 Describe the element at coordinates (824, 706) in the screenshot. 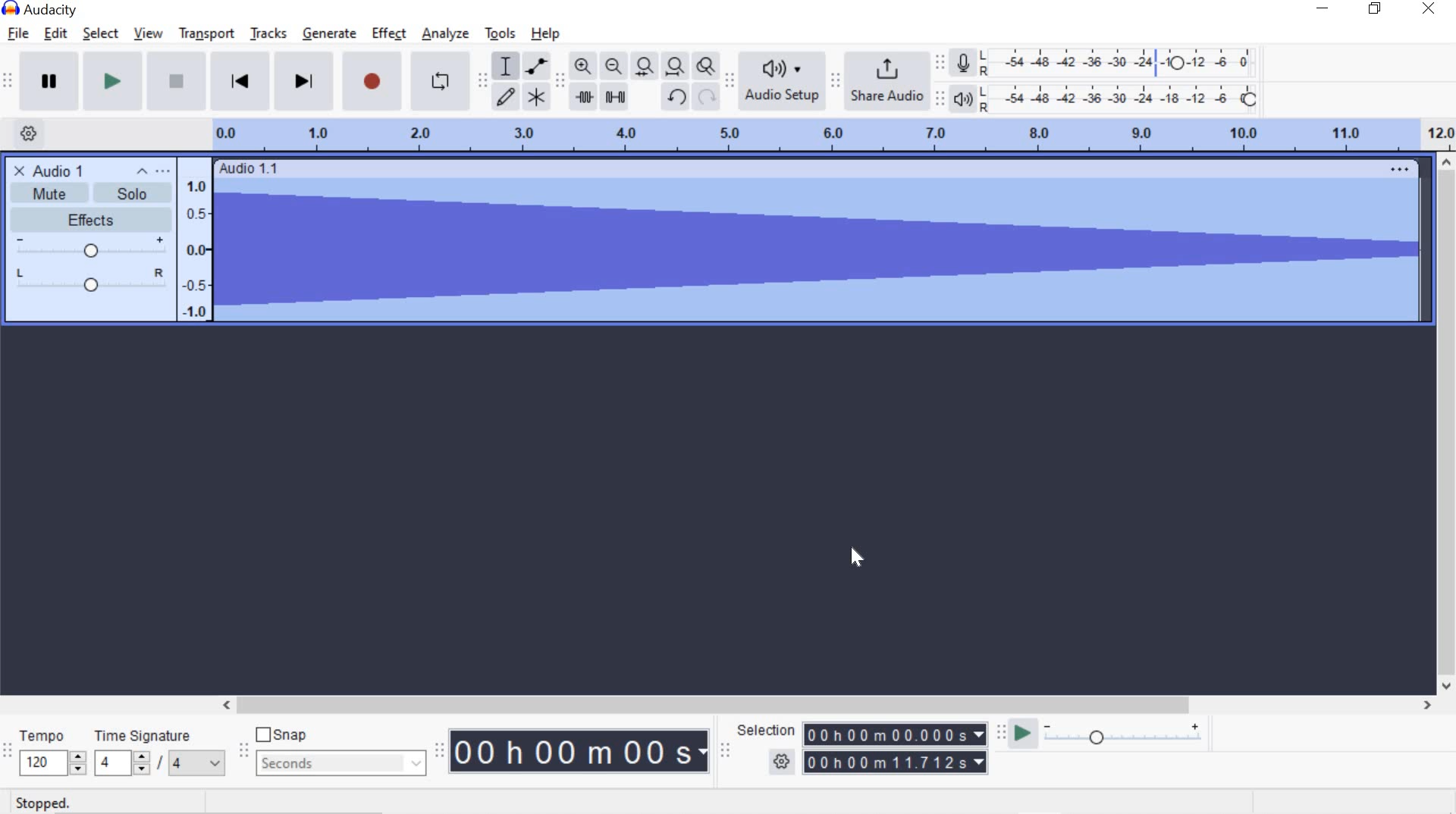

I see `scrollbar` at that location.